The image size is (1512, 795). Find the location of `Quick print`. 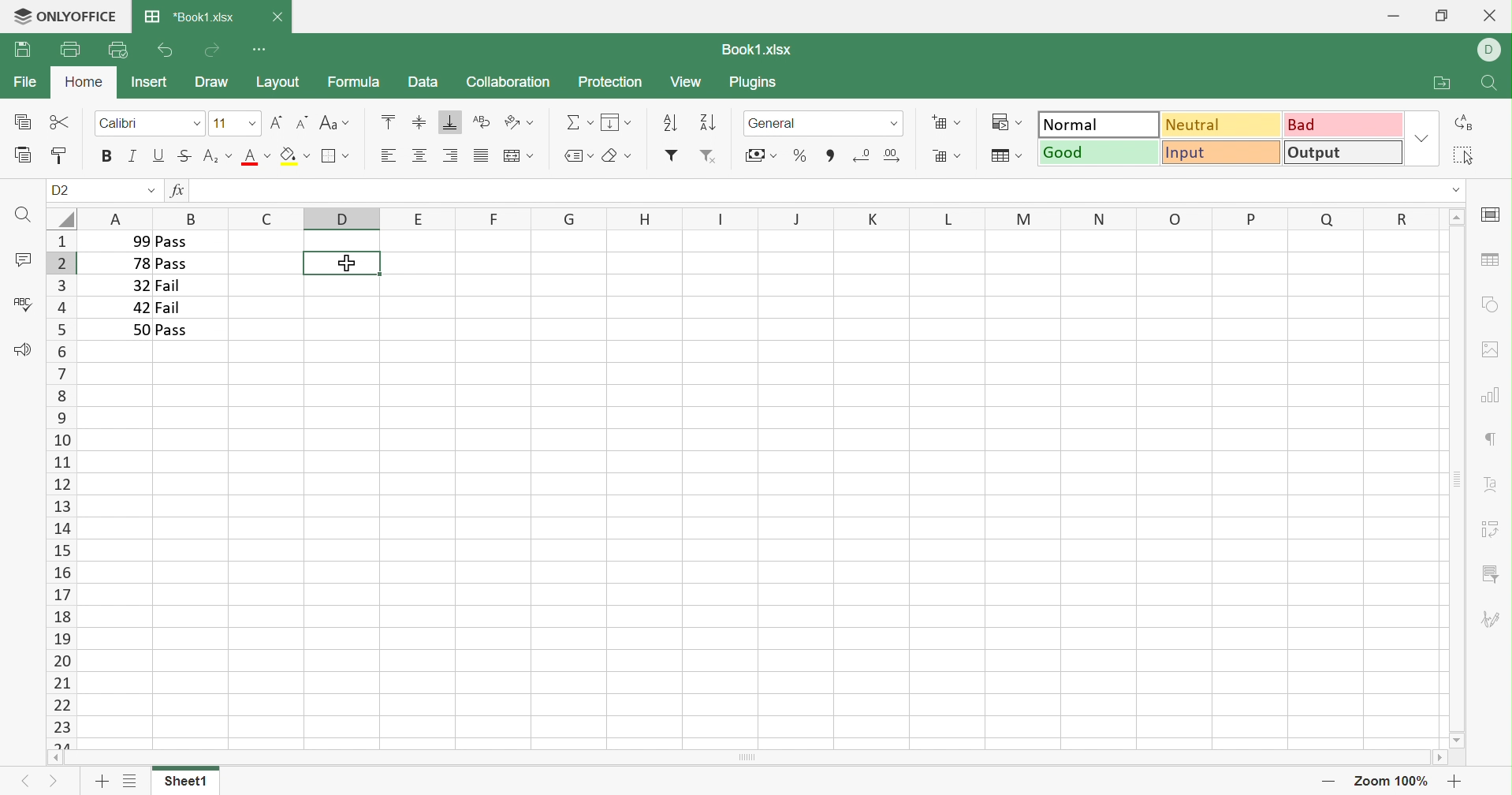

Quick print is located at coordinates (118, 52).